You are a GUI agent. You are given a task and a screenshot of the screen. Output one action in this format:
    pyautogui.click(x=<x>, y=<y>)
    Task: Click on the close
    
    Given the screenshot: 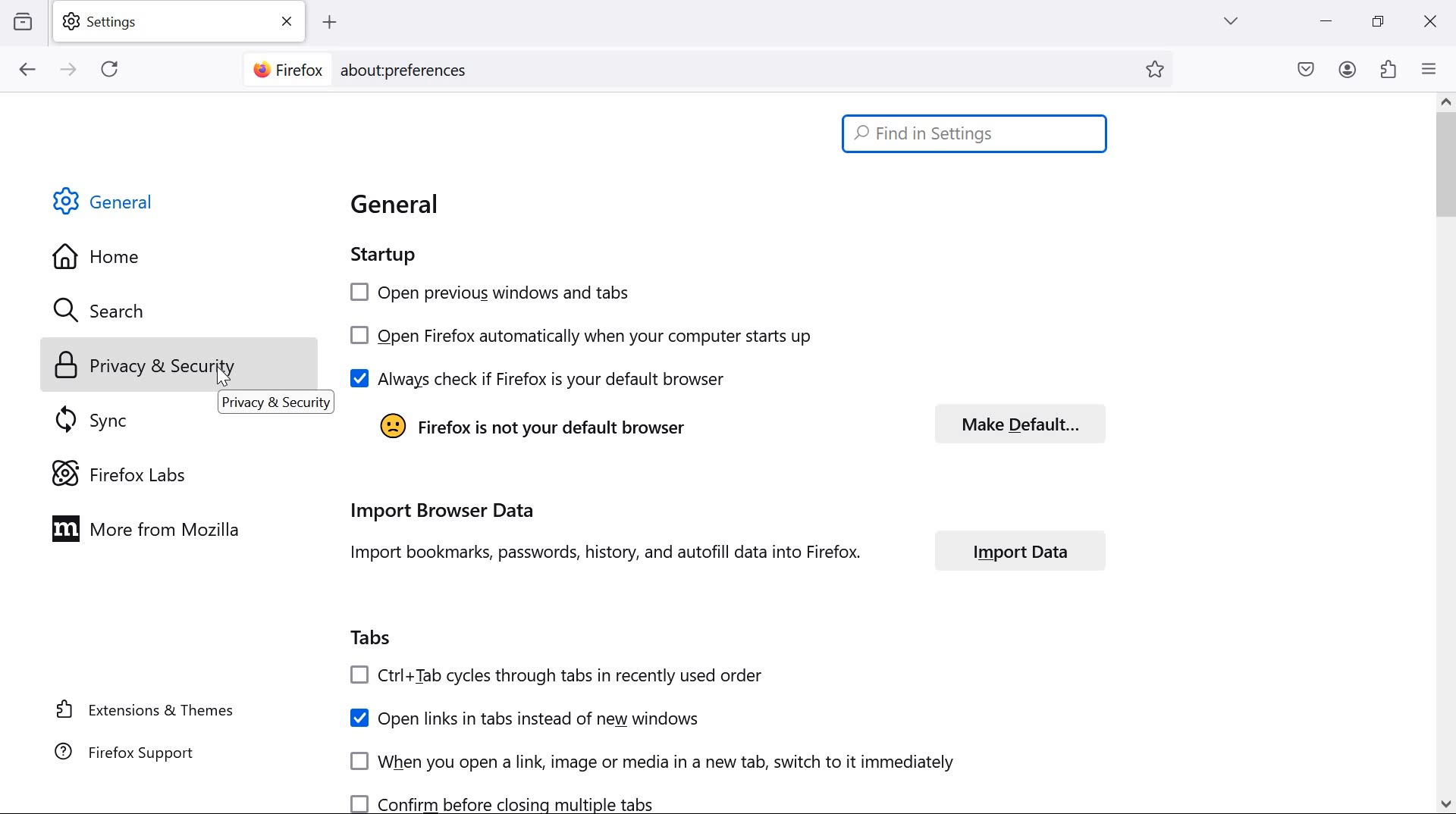 What is the action you would take?
    pyautogui.click(x=1429, y=23)
    